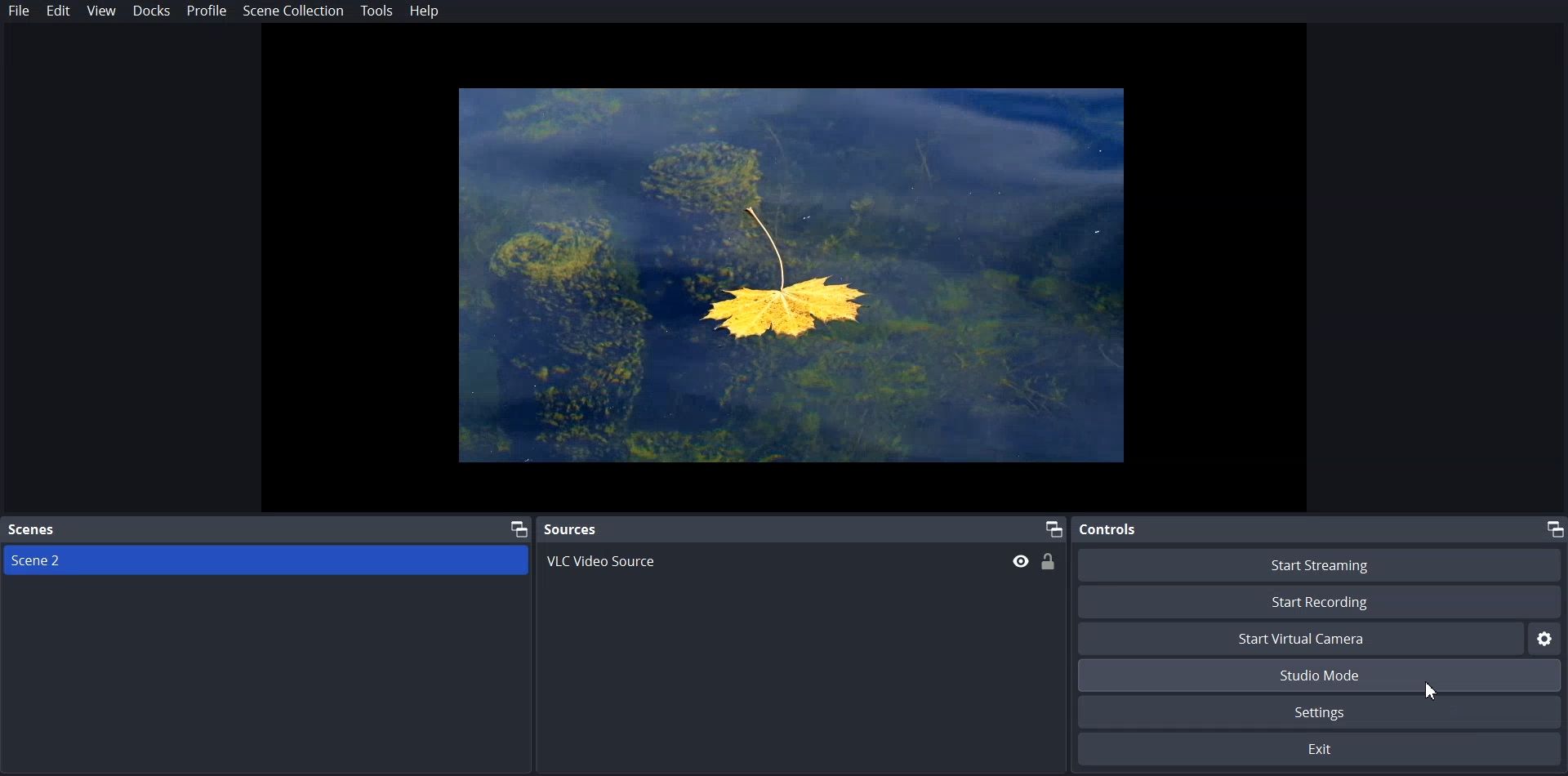 The image size is (1568, 776). Describe the element at coordinates (101, 11) in the screenshot. I see `View` at that location.